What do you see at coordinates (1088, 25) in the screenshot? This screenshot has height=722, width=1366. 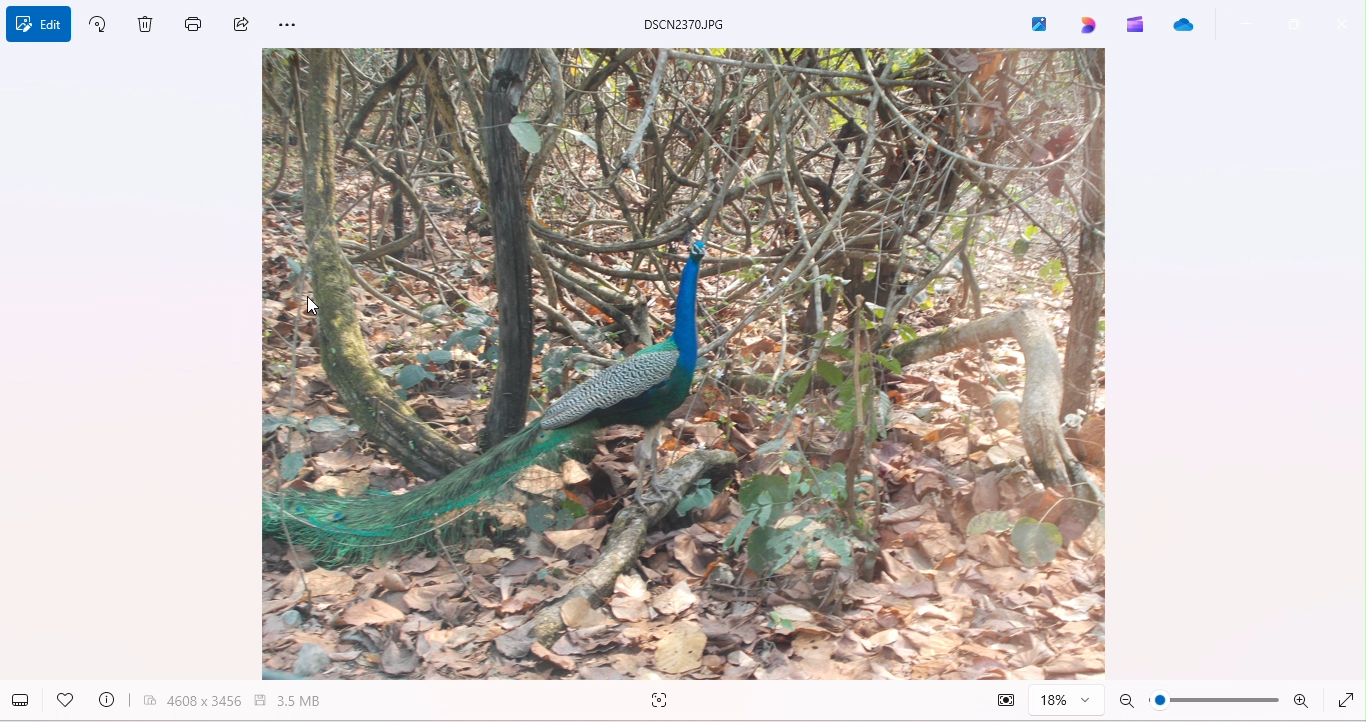 I see `edit with designer` at bounding box center [1088, 25].